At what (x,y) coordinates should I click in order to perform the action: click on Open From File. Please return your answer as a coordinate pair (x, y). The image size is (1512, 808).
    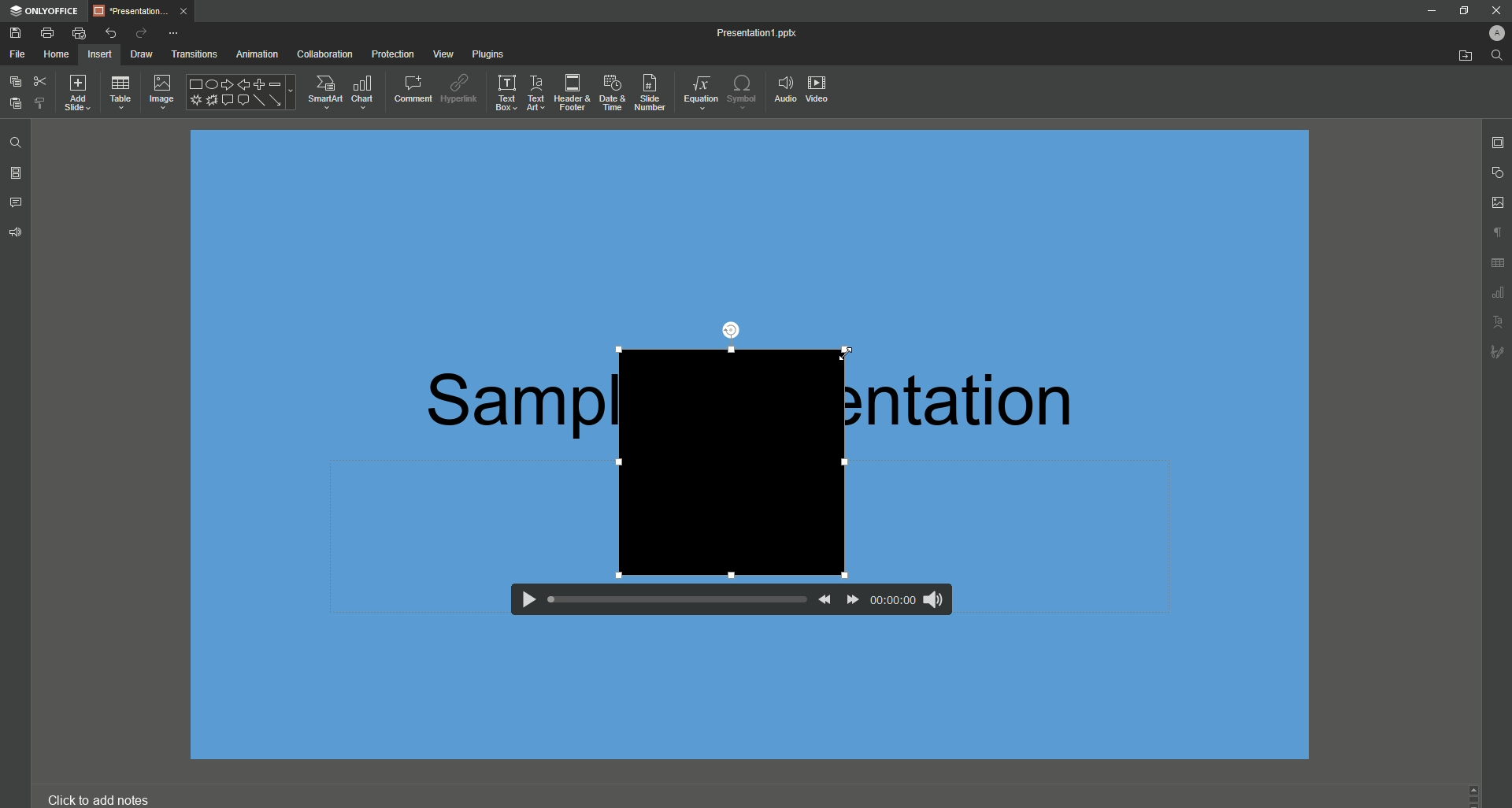
    Looking at the image, I should click on (1462, 55).